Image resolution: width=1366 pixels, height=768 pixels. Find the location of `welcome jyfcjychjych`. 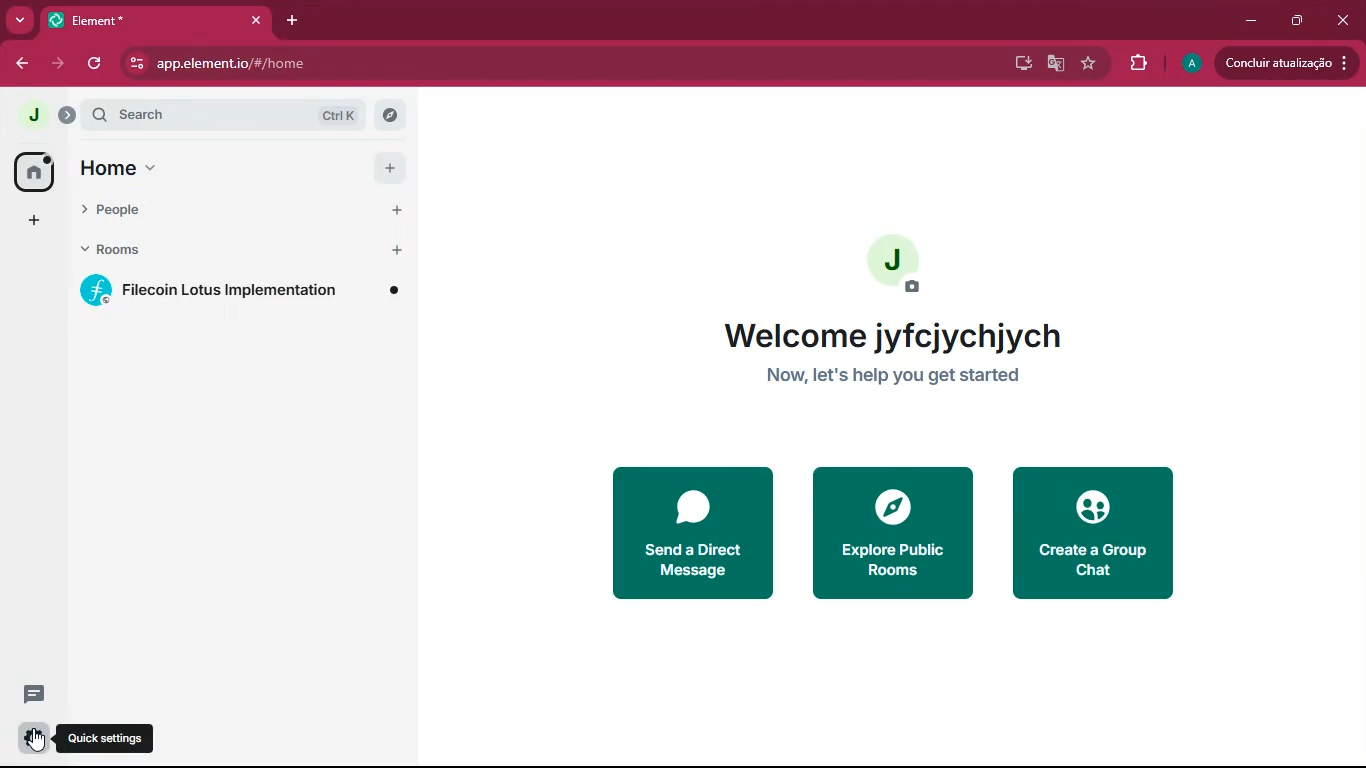

welcome jyfcjychjych is located at coordinates (885, 335).